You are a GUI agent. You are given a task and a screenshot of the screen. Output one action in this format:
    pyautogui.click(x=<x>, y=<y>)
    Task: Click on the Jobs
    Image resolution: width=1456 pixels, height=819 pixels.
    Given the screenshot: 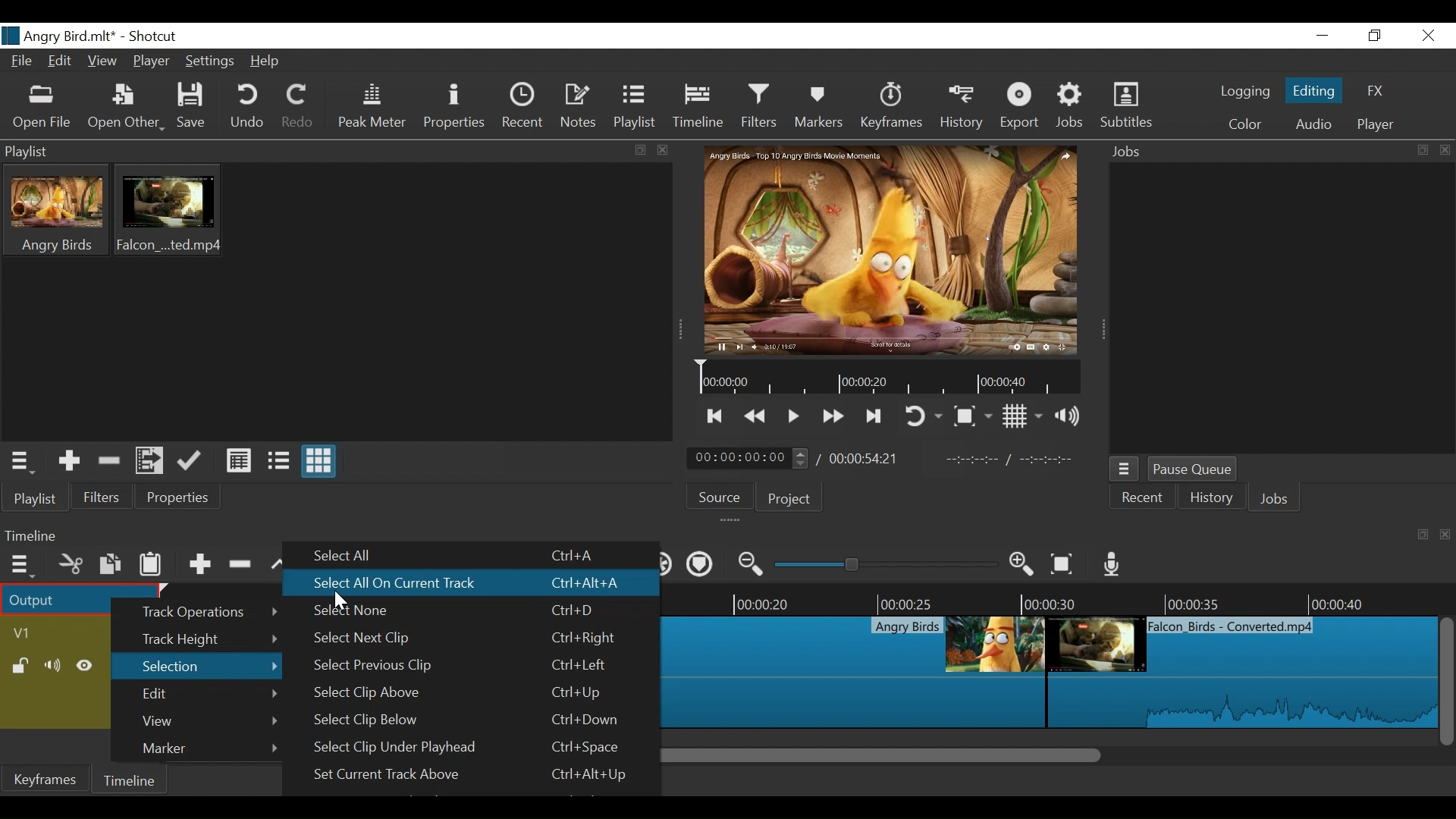 What is the action you would take?
    pyautogui.click(x=1278, y=497)
    